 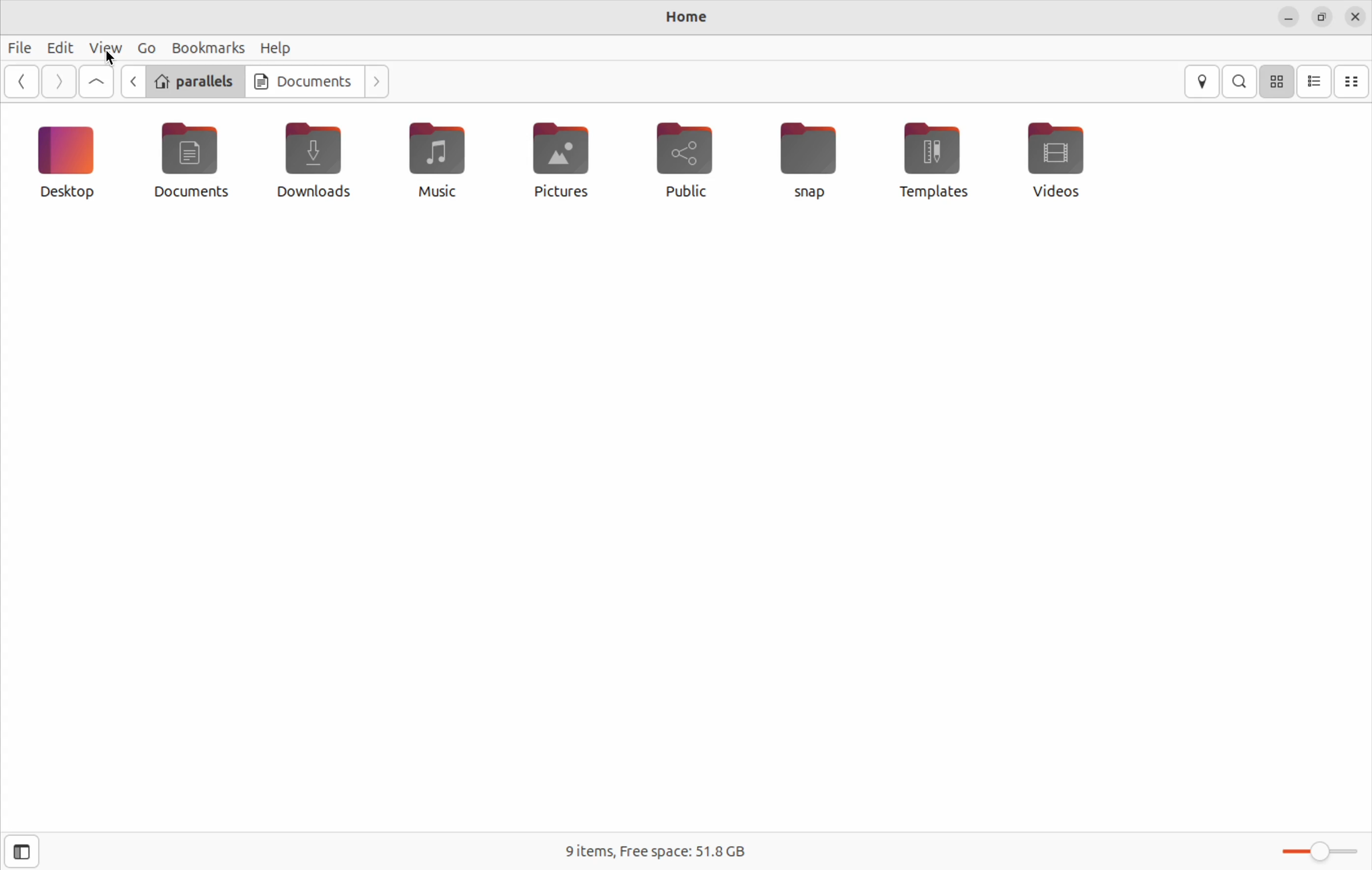 I want to click on minimze, so click(x=1289, y=17).